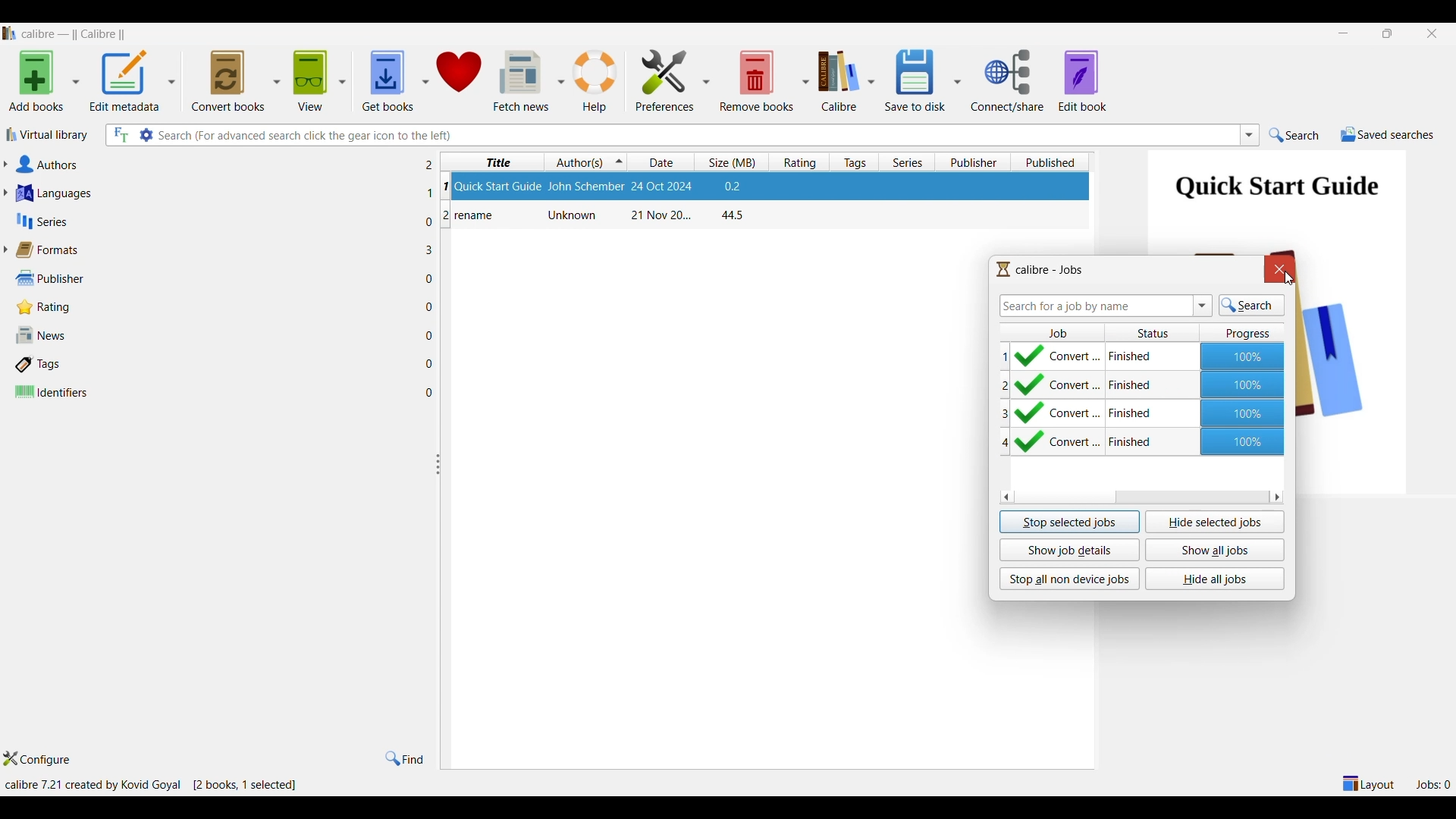 Image resolution: width=1456 pixels, height=819 pixels. I want to click on Hide selected jobs, so click(1215, 522).